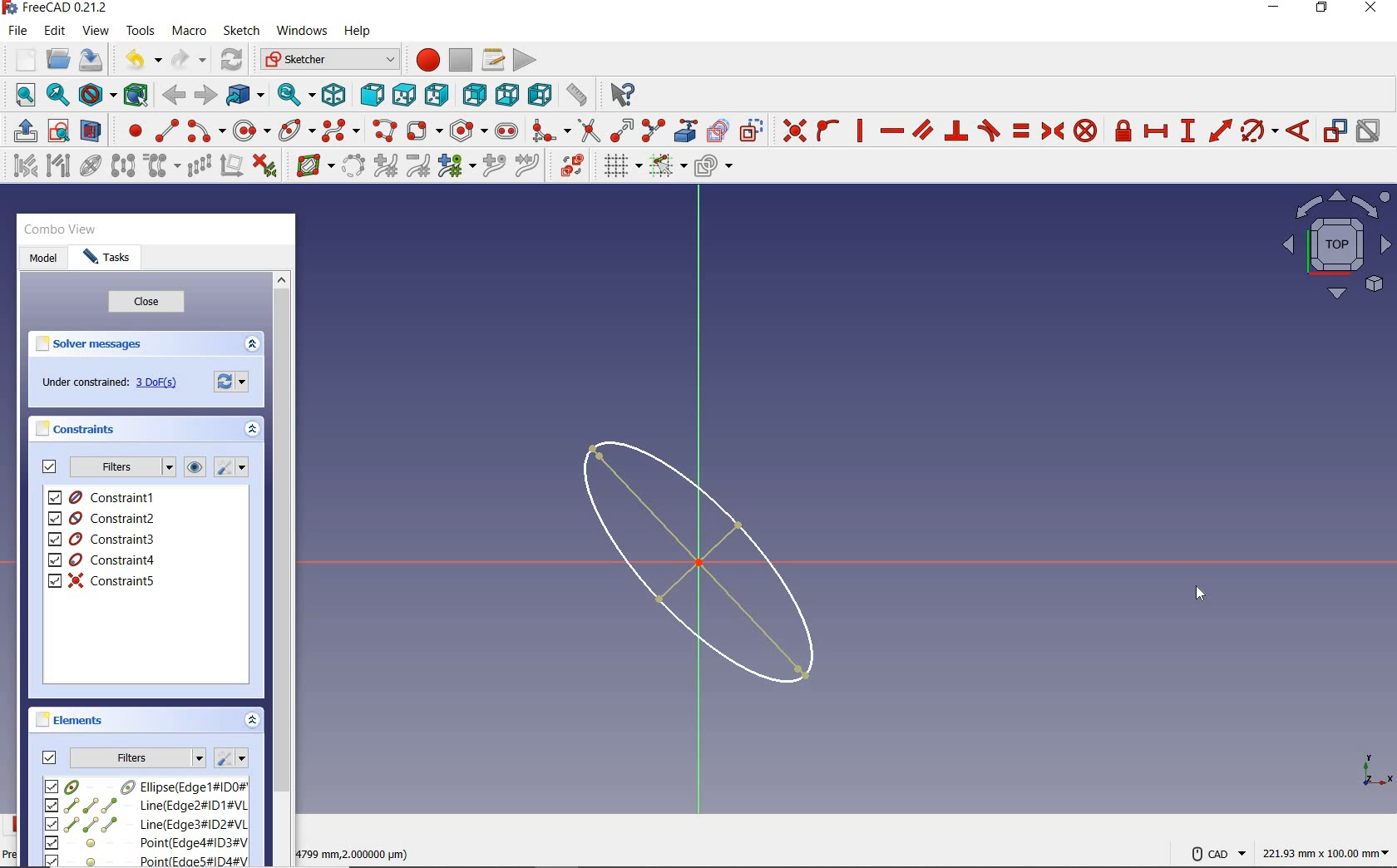  Describe the element at coordinates (281, 567) in the screenshot. I see `scrollbar` at that location.